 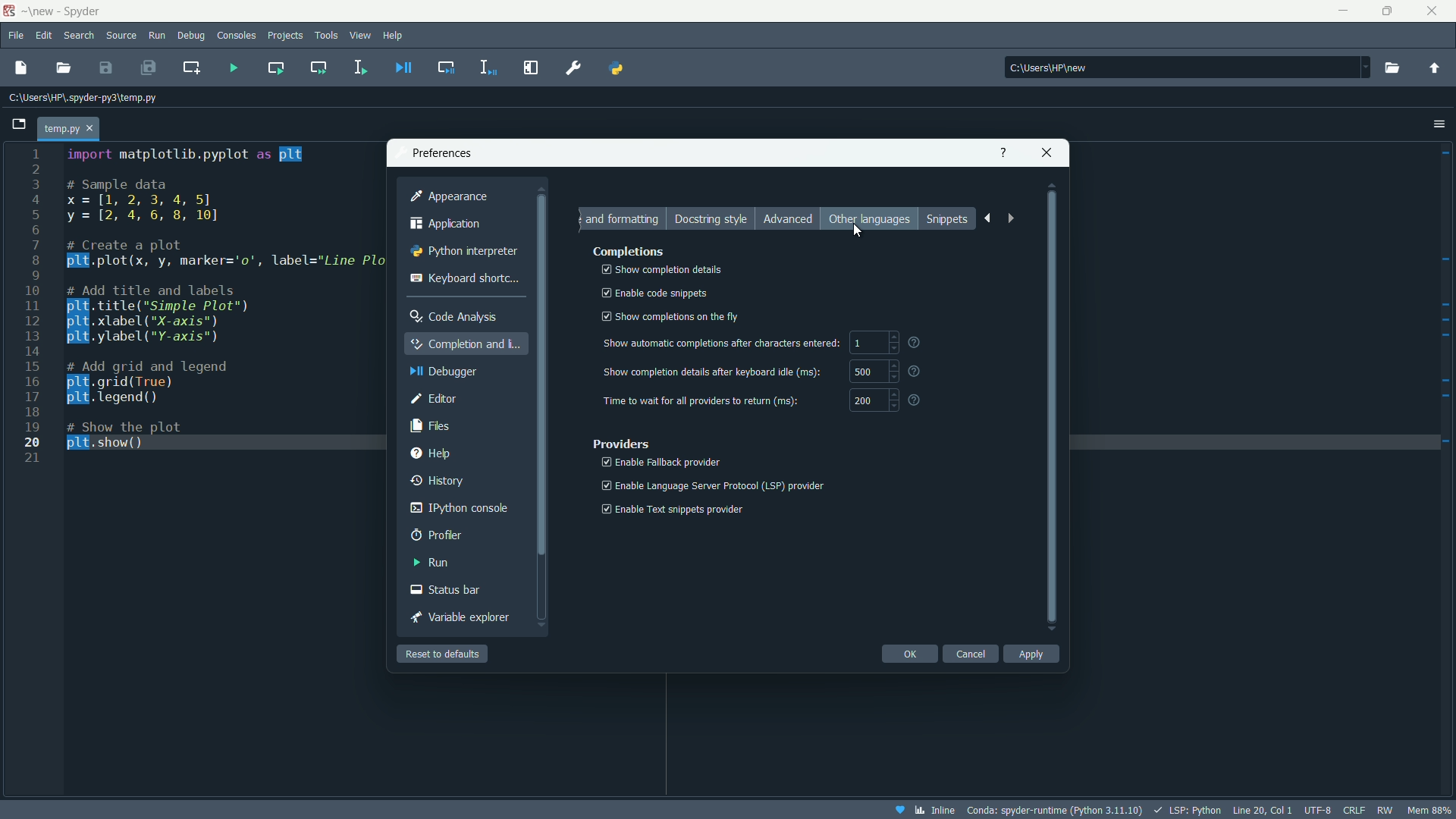 I want to click on 1, so click(x=859, y=343).